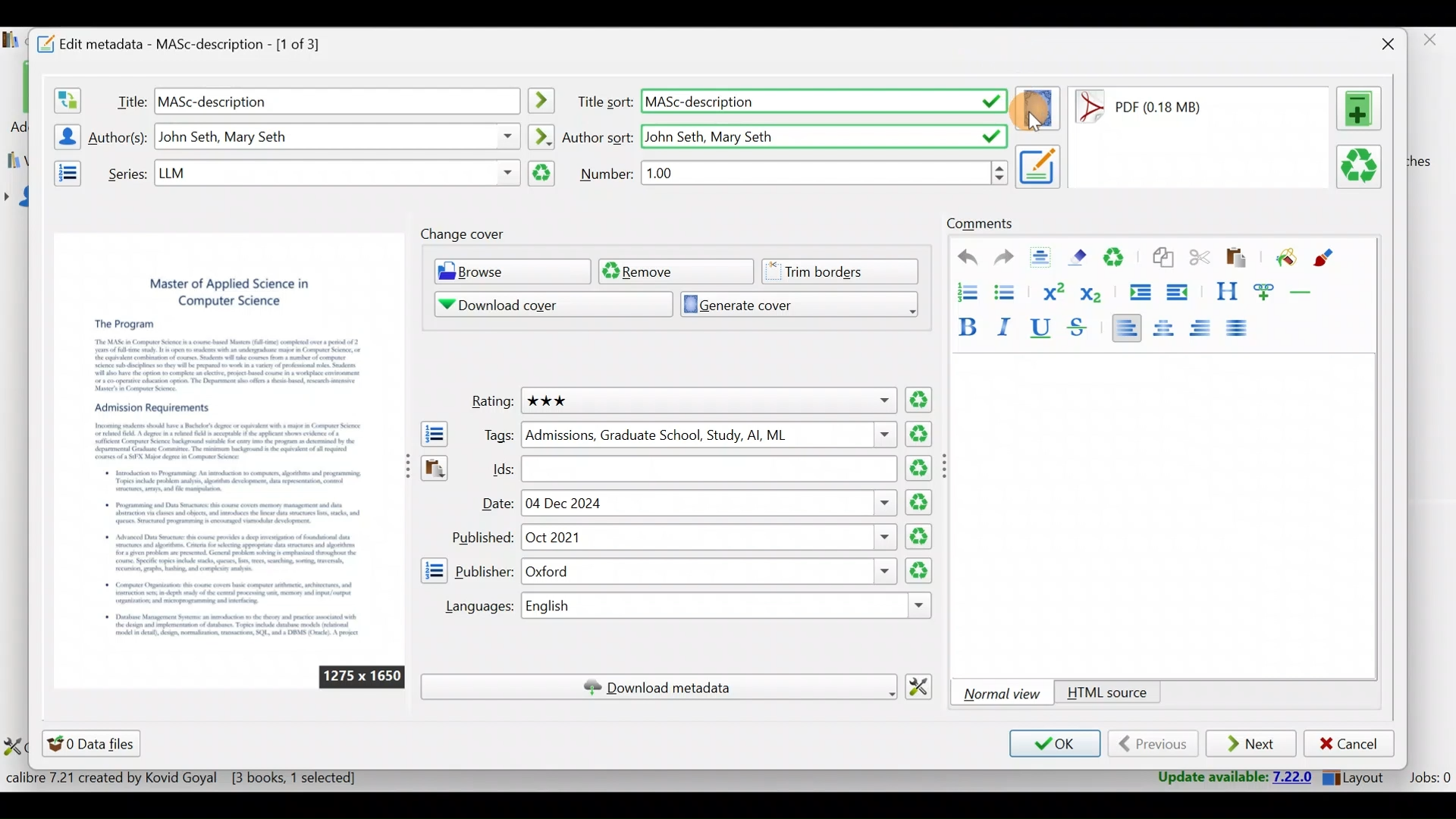 The width and height of the screenshot is (1456, 819). What do you see at coordinates (544, 101) in the screenshot?
I see `` at bounding box center [544, 101].